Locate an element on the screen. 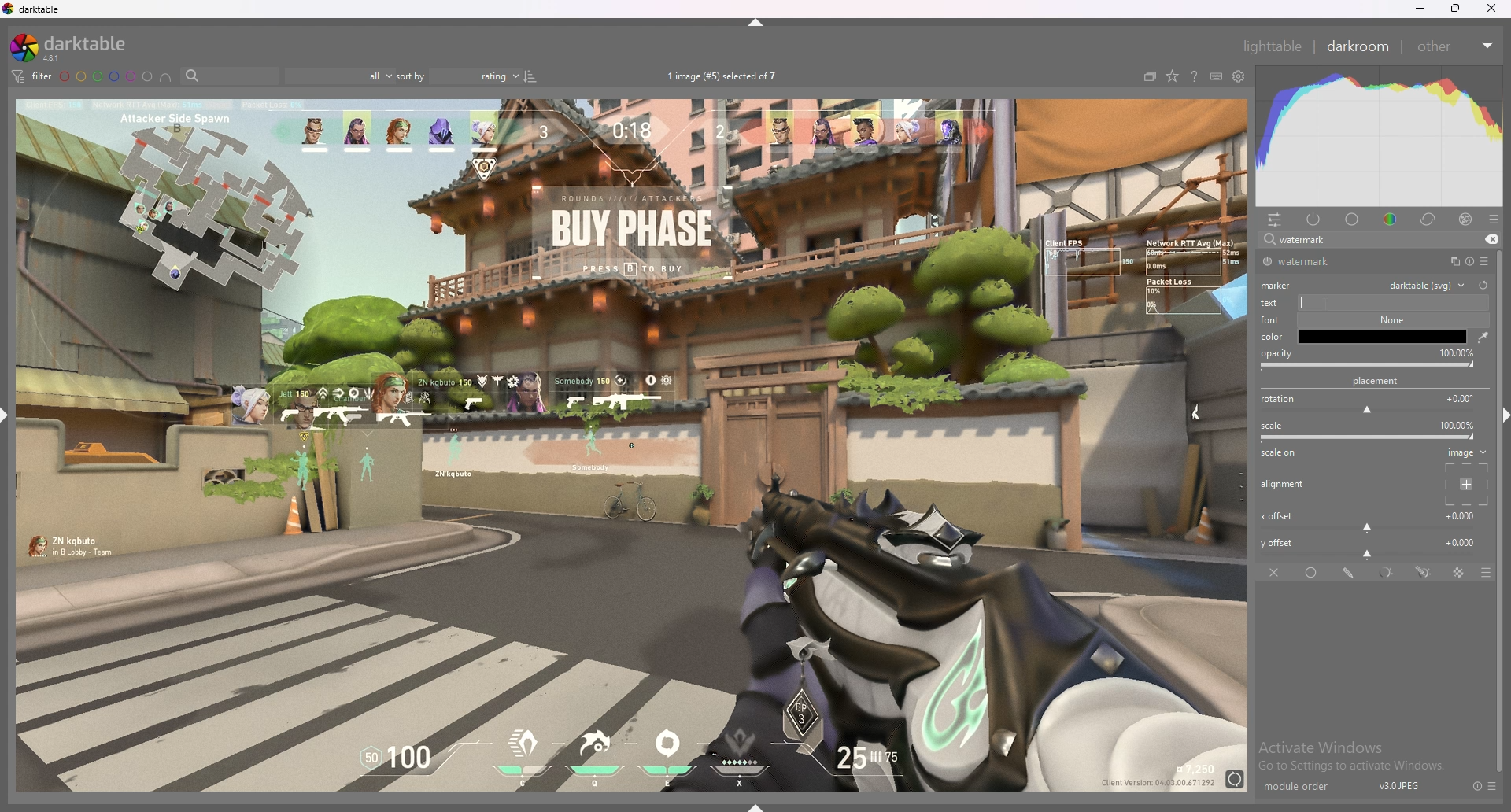 The width and height of the screenshot is (1511, 812). uniformly is located at coordinates (1313, 573).